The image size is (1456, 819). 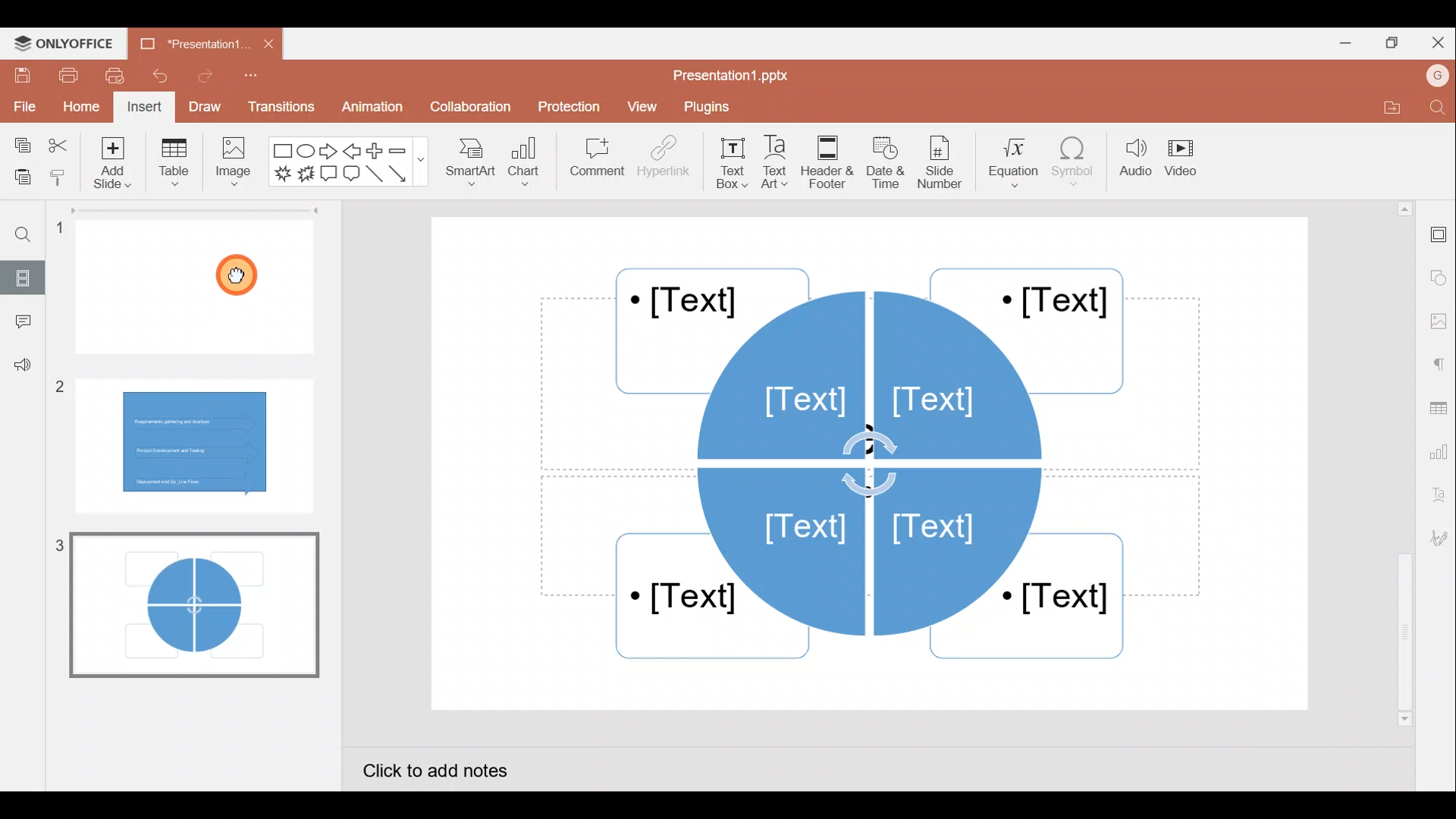 I want to click on File, so click(x=23, y=106).